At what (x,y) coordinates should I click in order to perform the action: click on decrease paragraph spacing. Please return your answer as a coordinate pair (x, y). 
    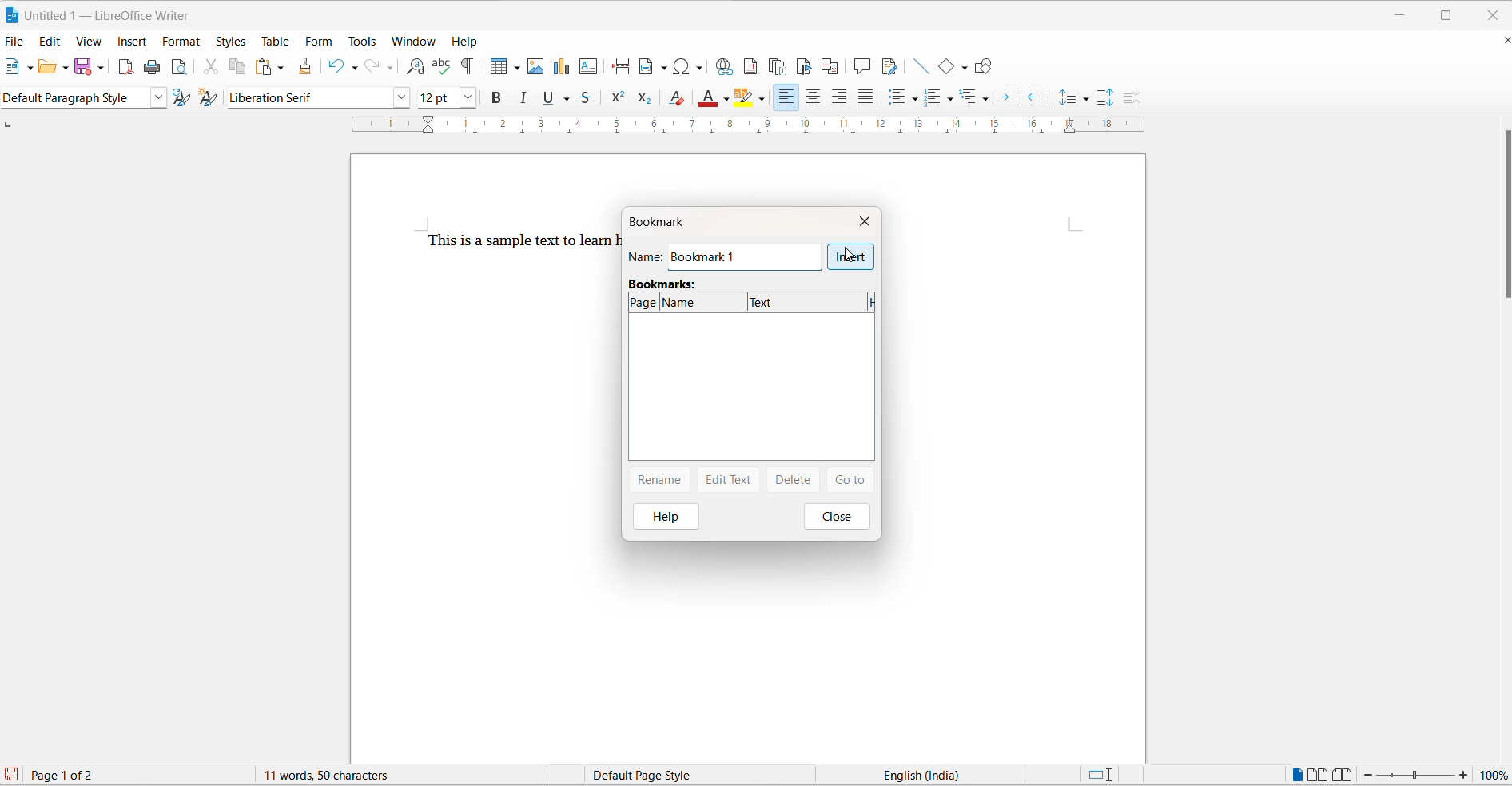
    Looking at the image, I should click on (1130, 97).